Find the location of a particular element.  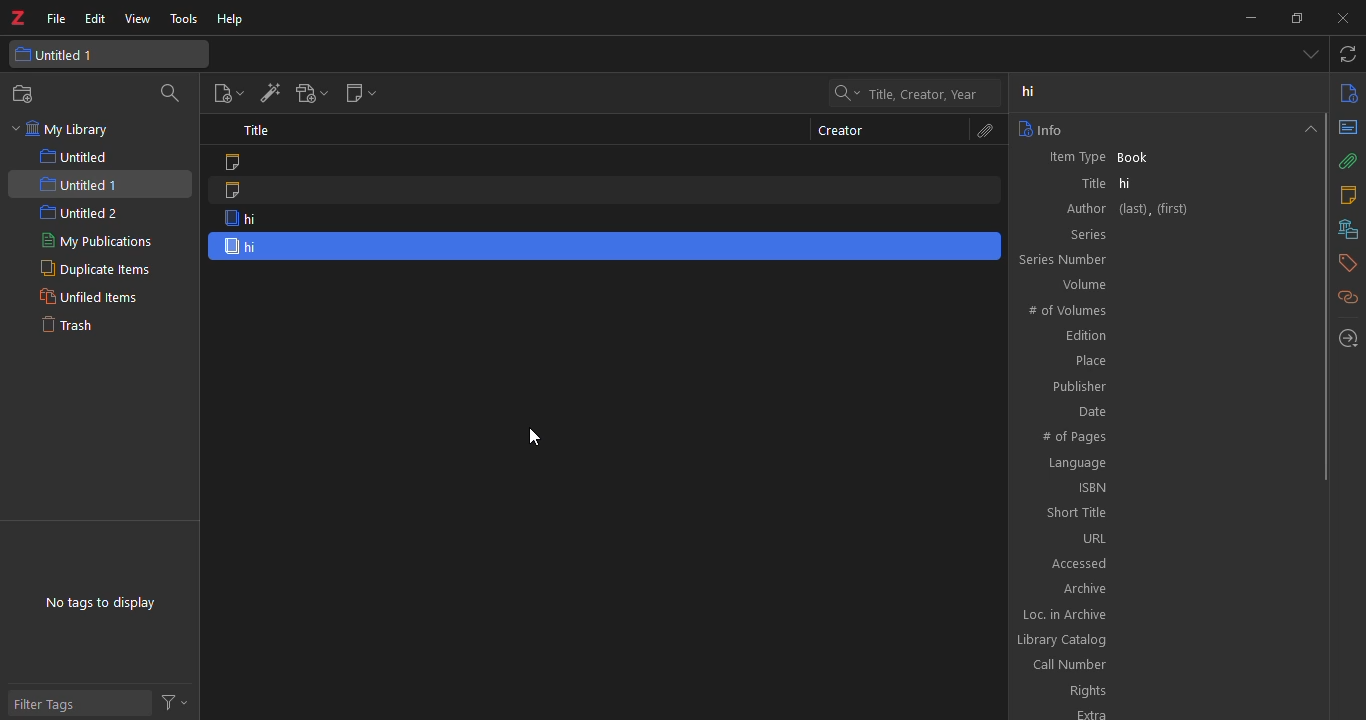

date  is located at coordinates (1089, 411).